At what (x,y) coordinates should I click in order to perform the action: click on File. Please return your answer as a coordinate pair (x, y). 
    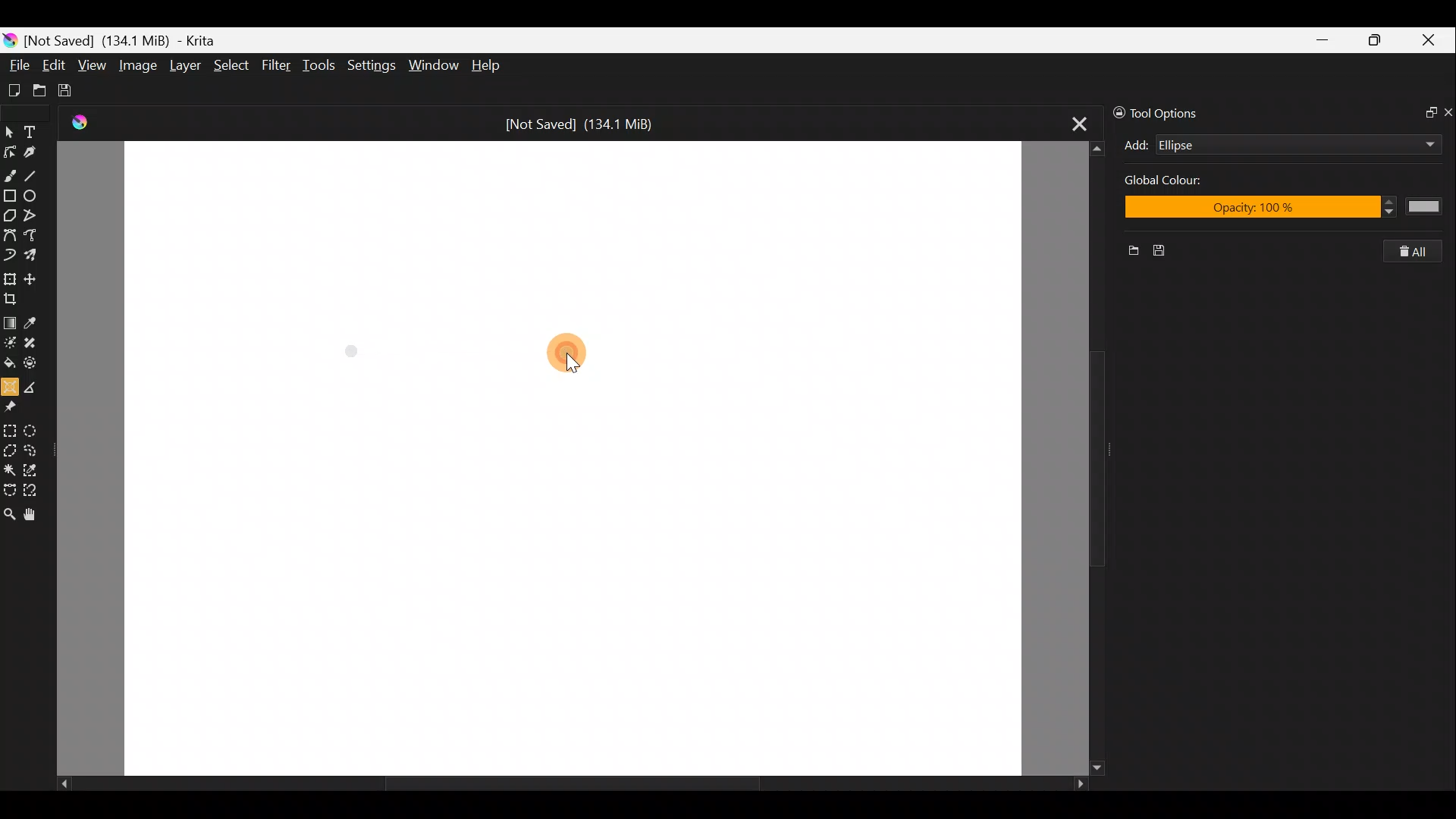
    Looking at the image, I should click on (17, 61).